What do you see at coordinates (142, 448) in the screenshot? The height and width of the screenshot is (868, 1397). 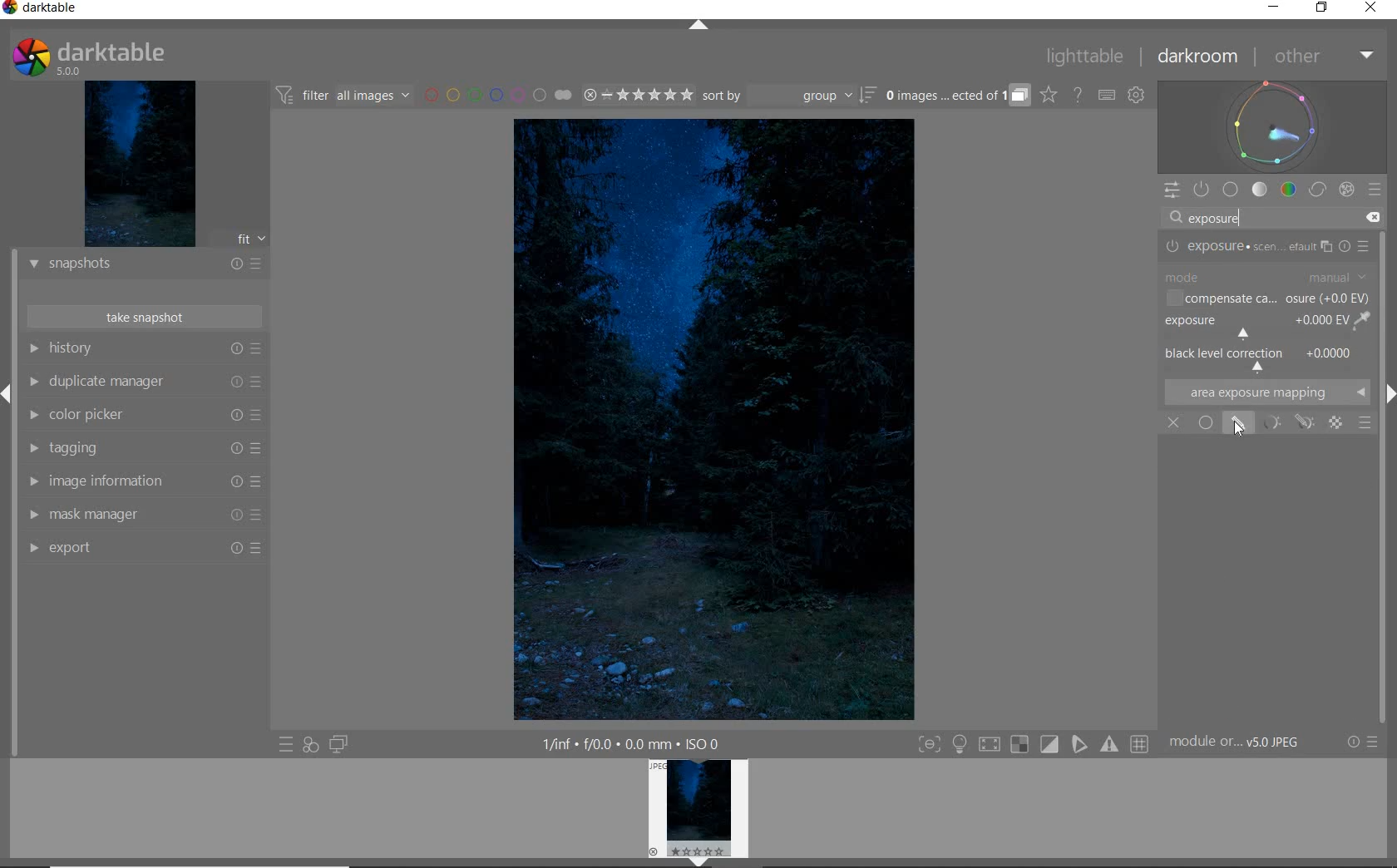 I see `TAGGING` at bounding box center [142, 448].